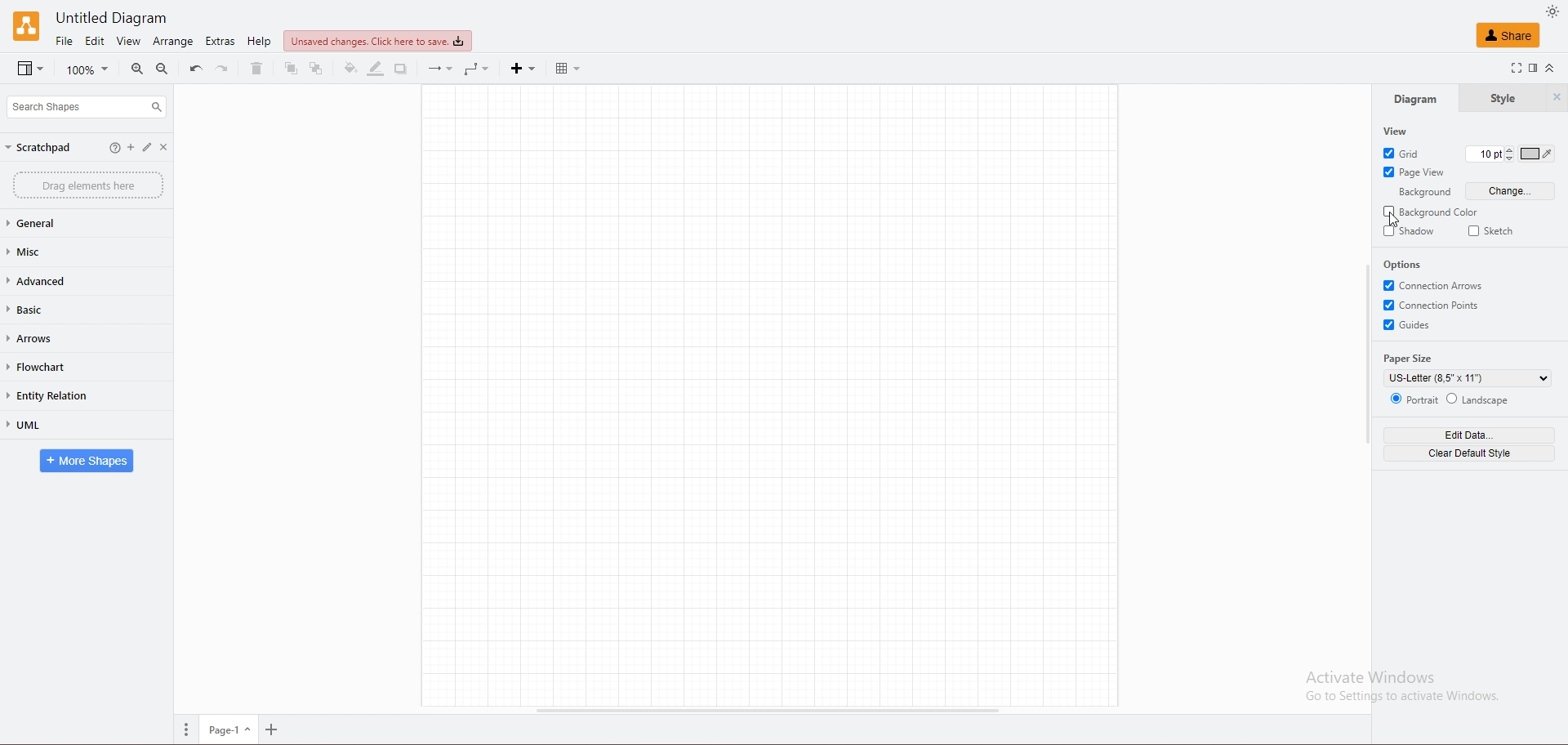 The width and height of the screenshot is (1568, 745). I want to click on portrait, so click(1414, 398).